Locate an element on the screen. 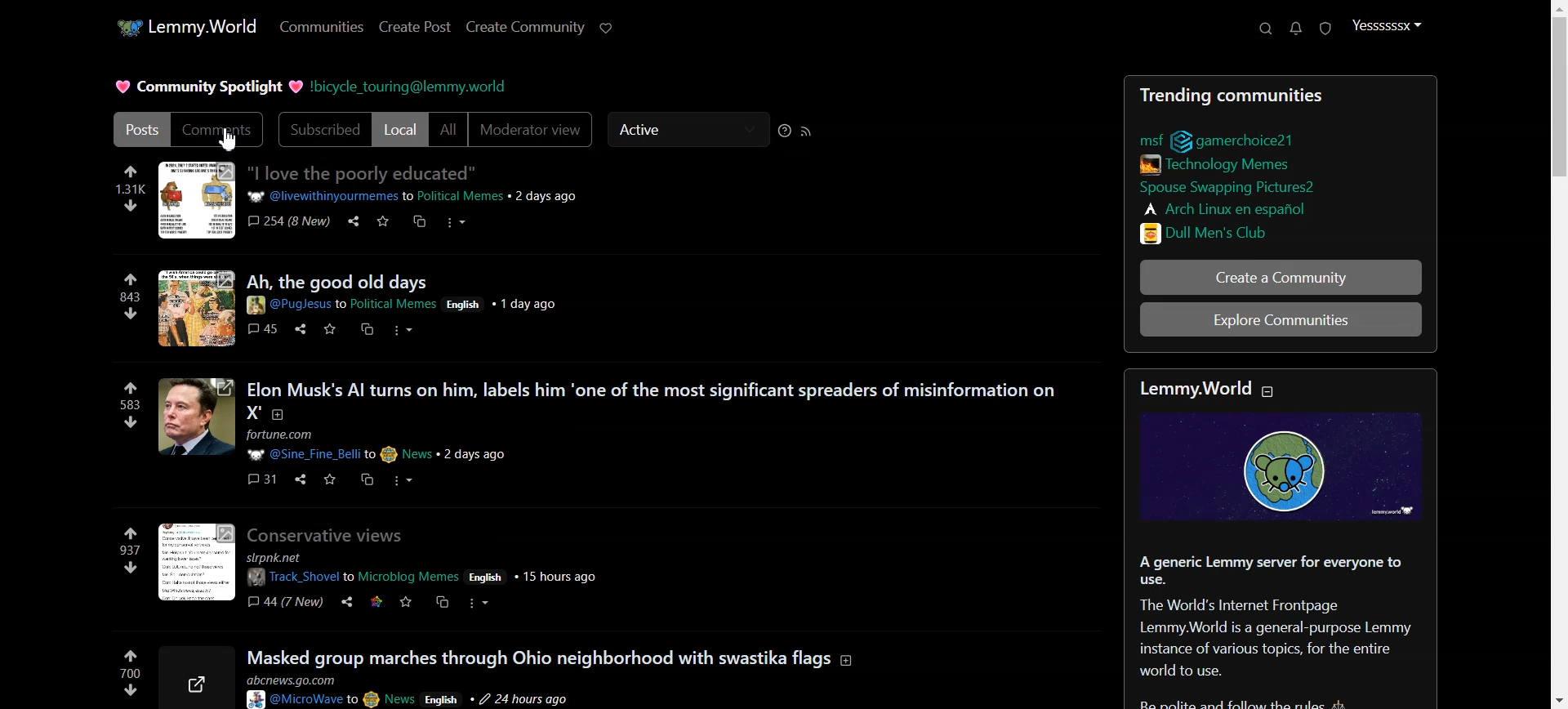 The height and width of the screenshot is (709, 1568). RSS is located at coordinates (807, 131).